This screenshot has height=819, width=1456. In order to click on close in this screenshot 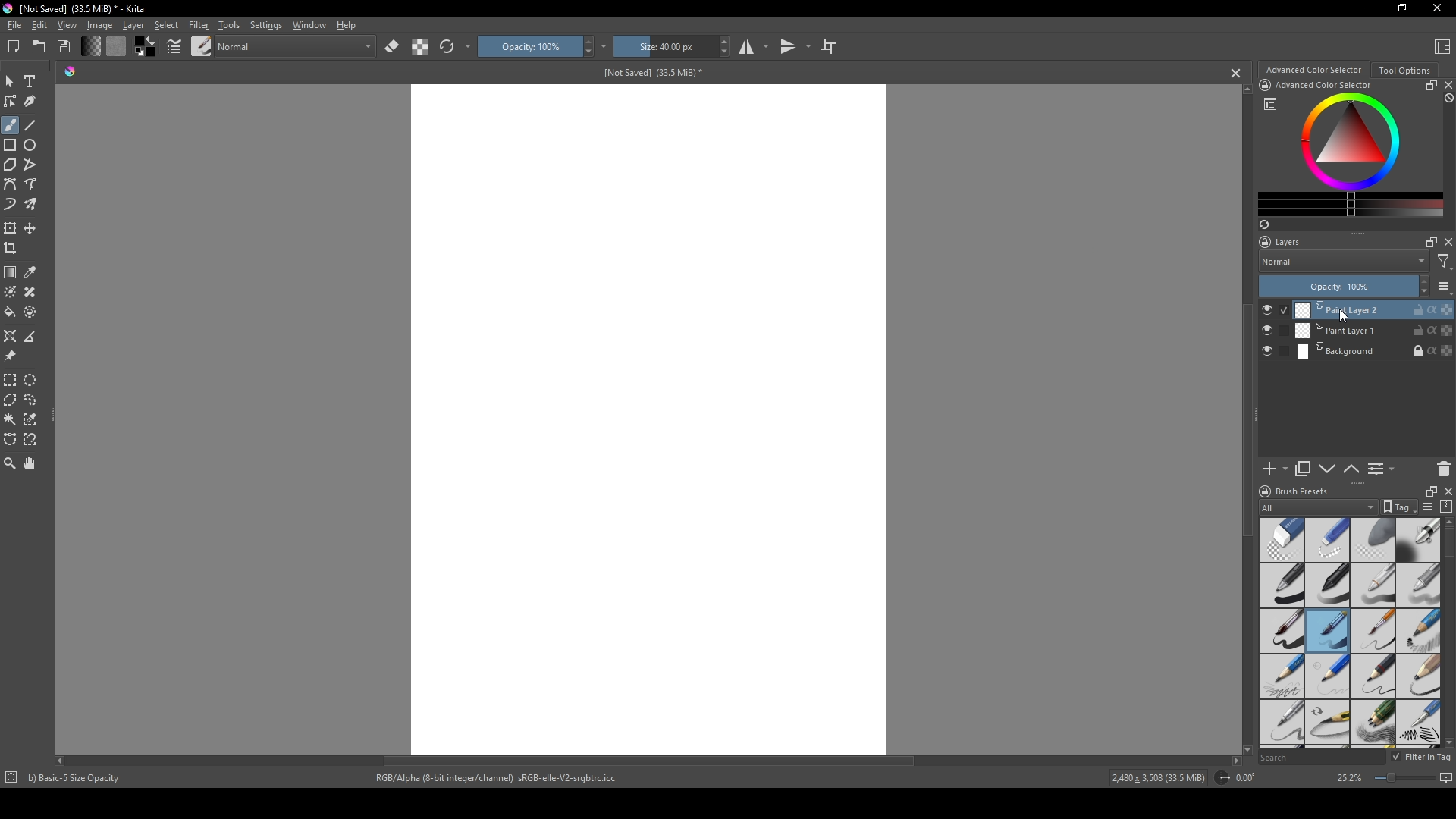, I will do `click(1447, 491)`.